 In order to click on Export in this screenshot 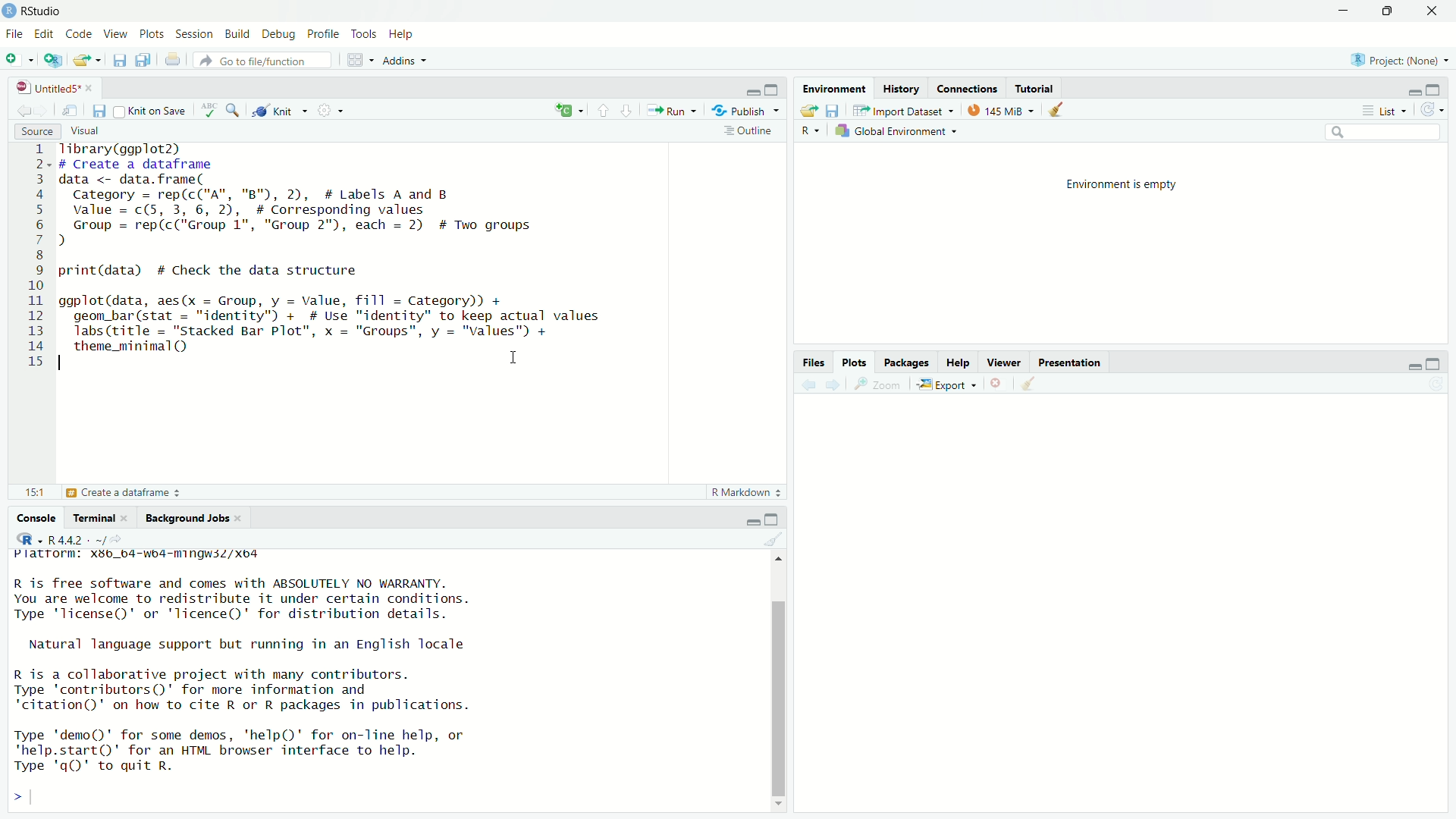, I will do `click(950, 383)`.